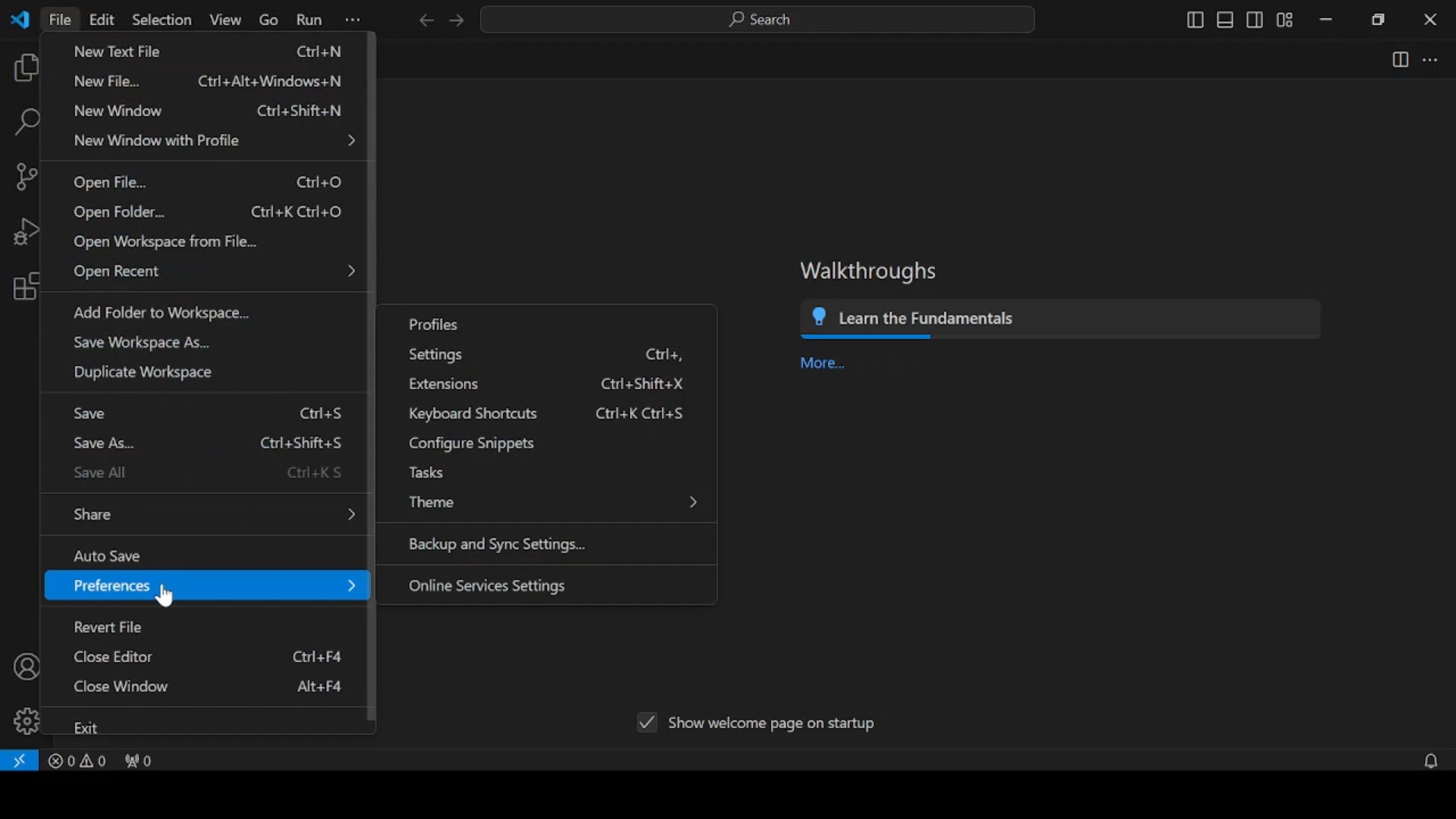 The image size is (1456, 819). What do you see at coordinates (139, 343) in the screenshot?
I see `save workplace as` at bounding box center [139, 343].